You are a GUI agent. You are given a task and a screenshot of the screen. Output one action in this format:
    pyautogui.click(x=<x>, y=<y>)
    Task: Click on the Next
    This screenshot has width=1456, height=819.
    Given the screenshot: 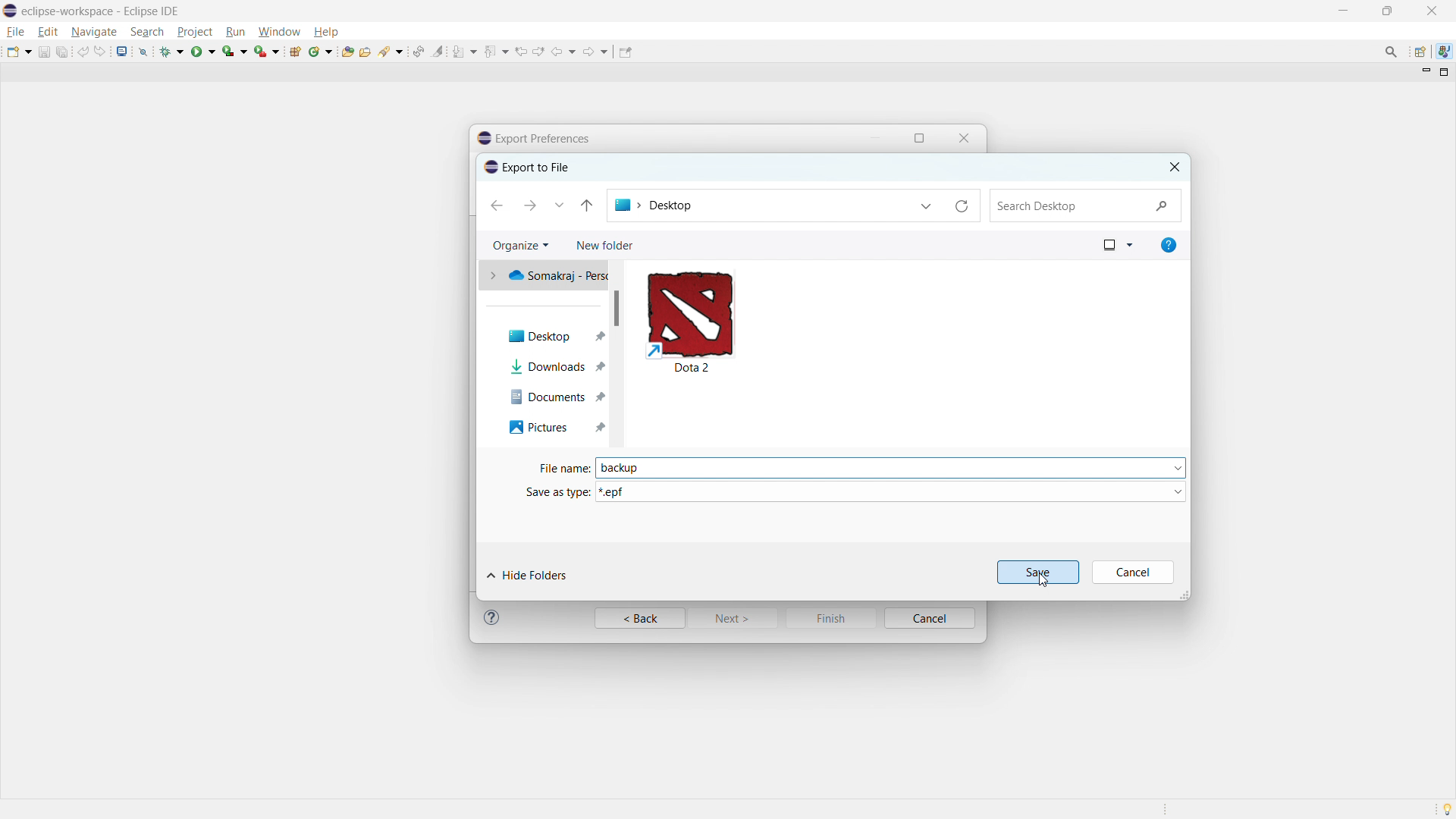 What is the action you would take?
    pyautogui.click(x=737, y=621)
    